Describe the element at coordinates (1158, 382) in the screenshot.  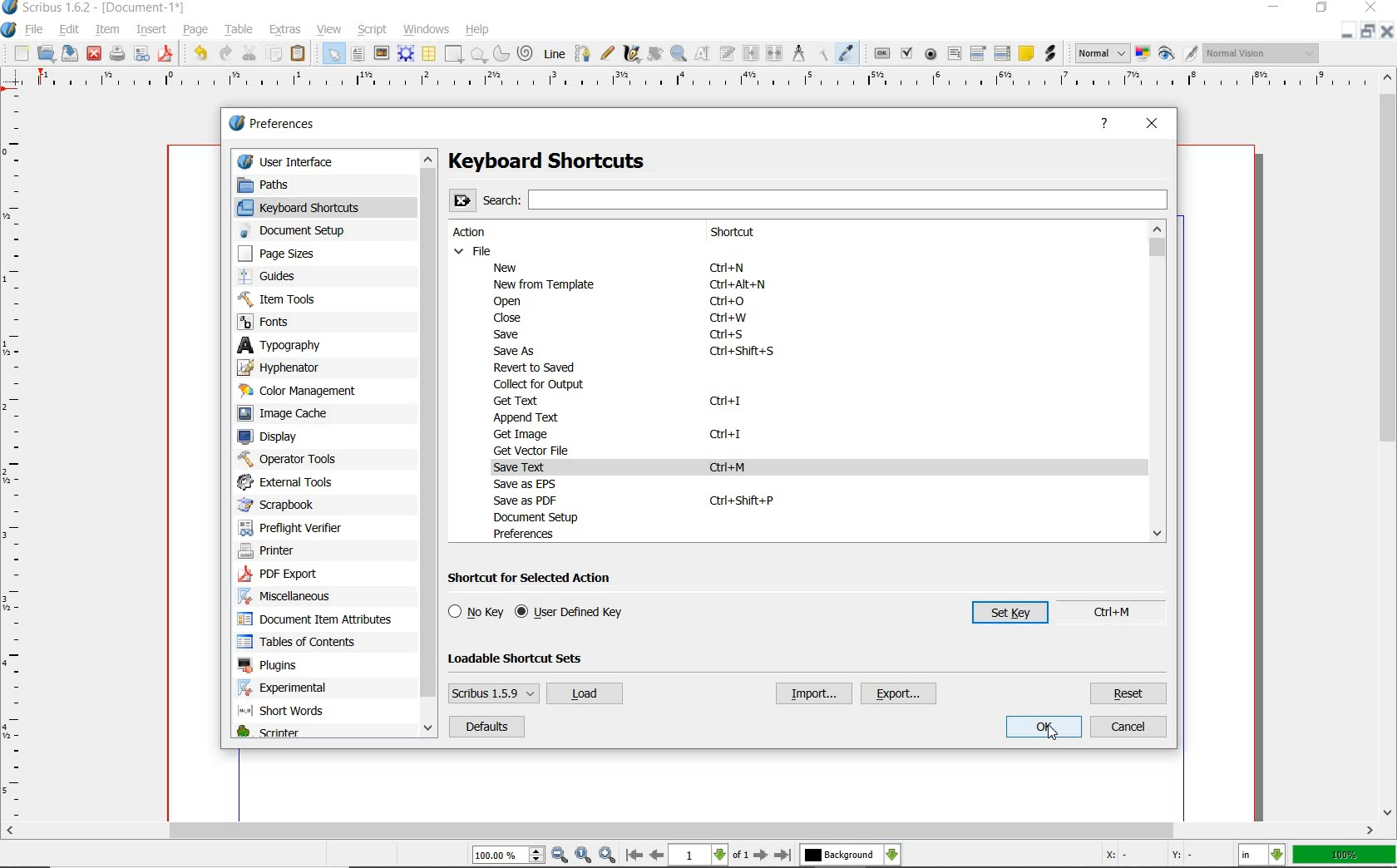
I see `scrollbar` at that location.